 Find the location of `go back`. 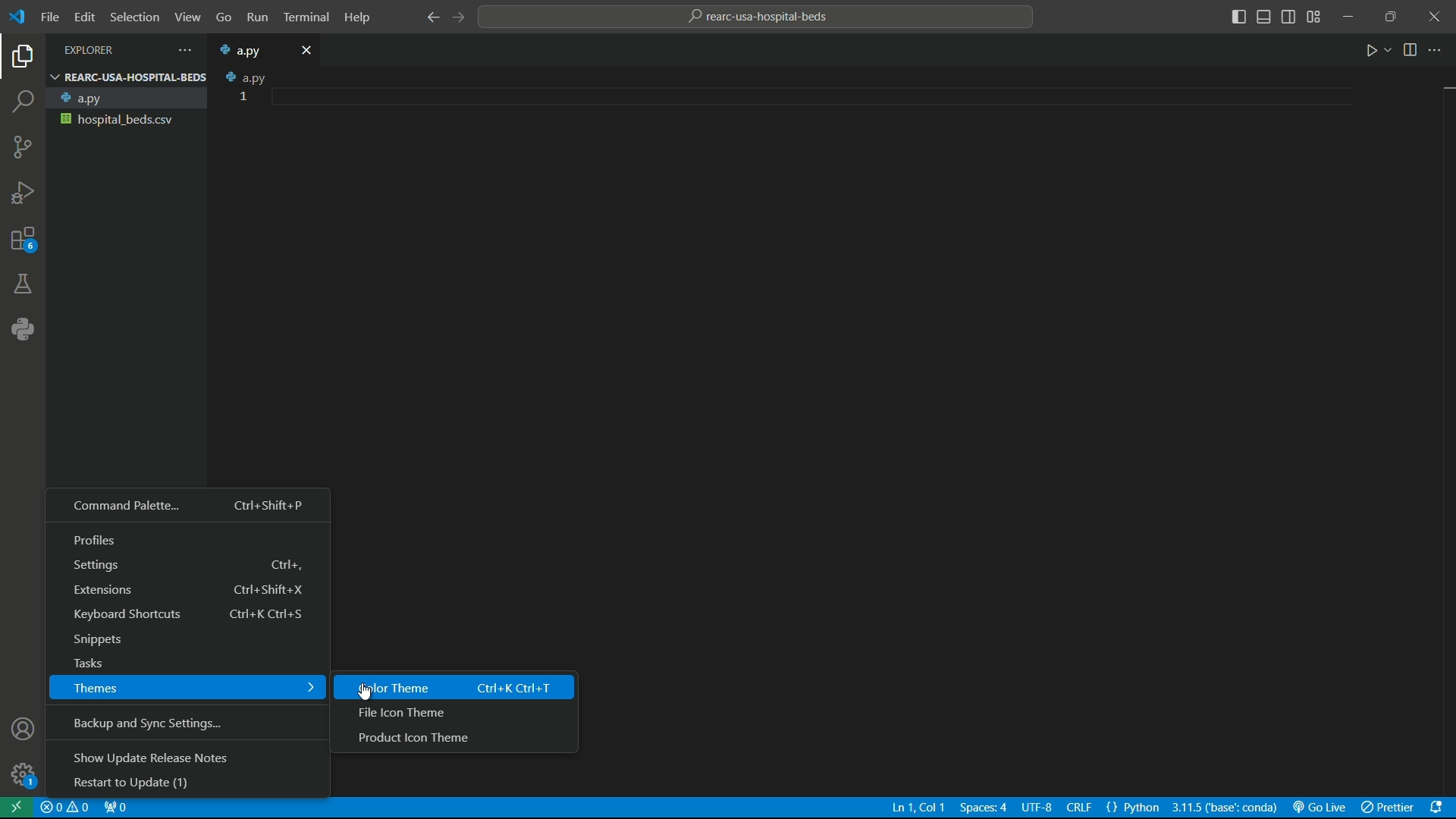

go back is located at coordinates (433, 17).